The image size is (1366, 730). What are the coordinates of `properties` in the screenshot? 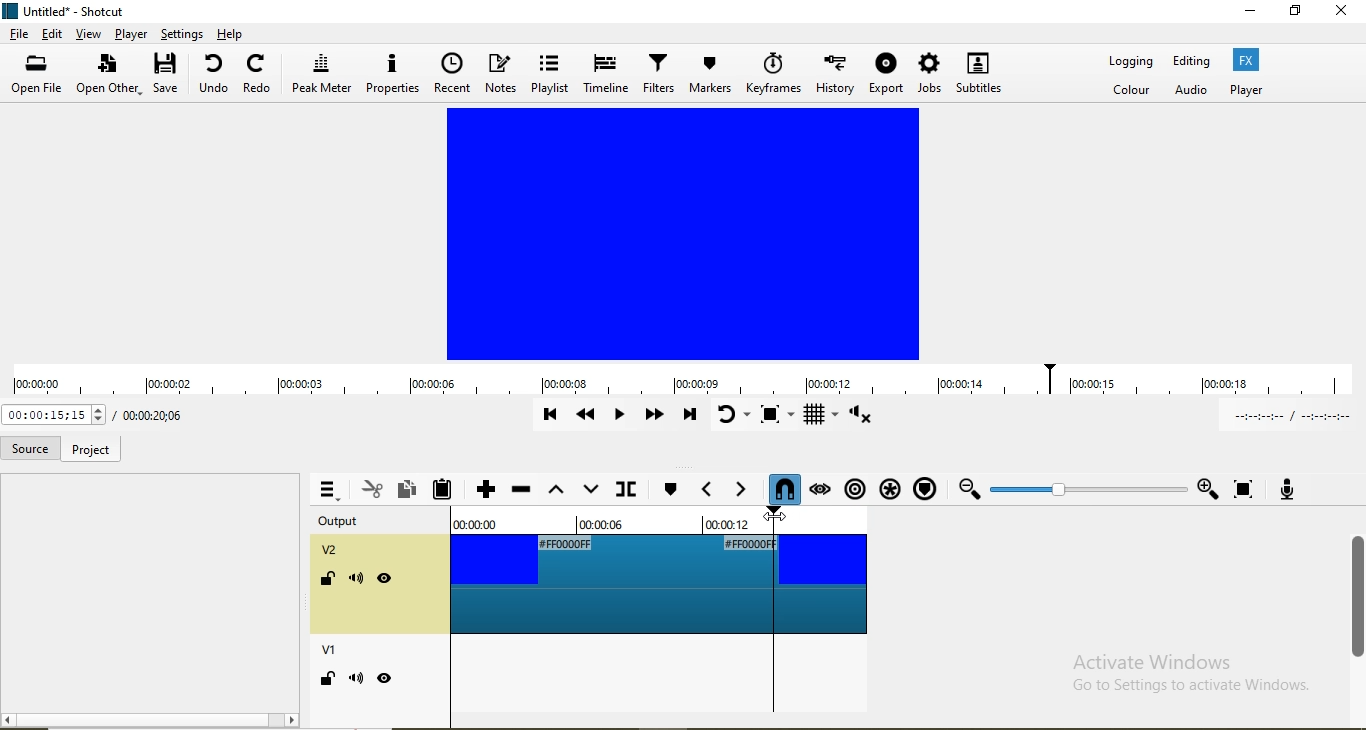 It's located at (392, 74).